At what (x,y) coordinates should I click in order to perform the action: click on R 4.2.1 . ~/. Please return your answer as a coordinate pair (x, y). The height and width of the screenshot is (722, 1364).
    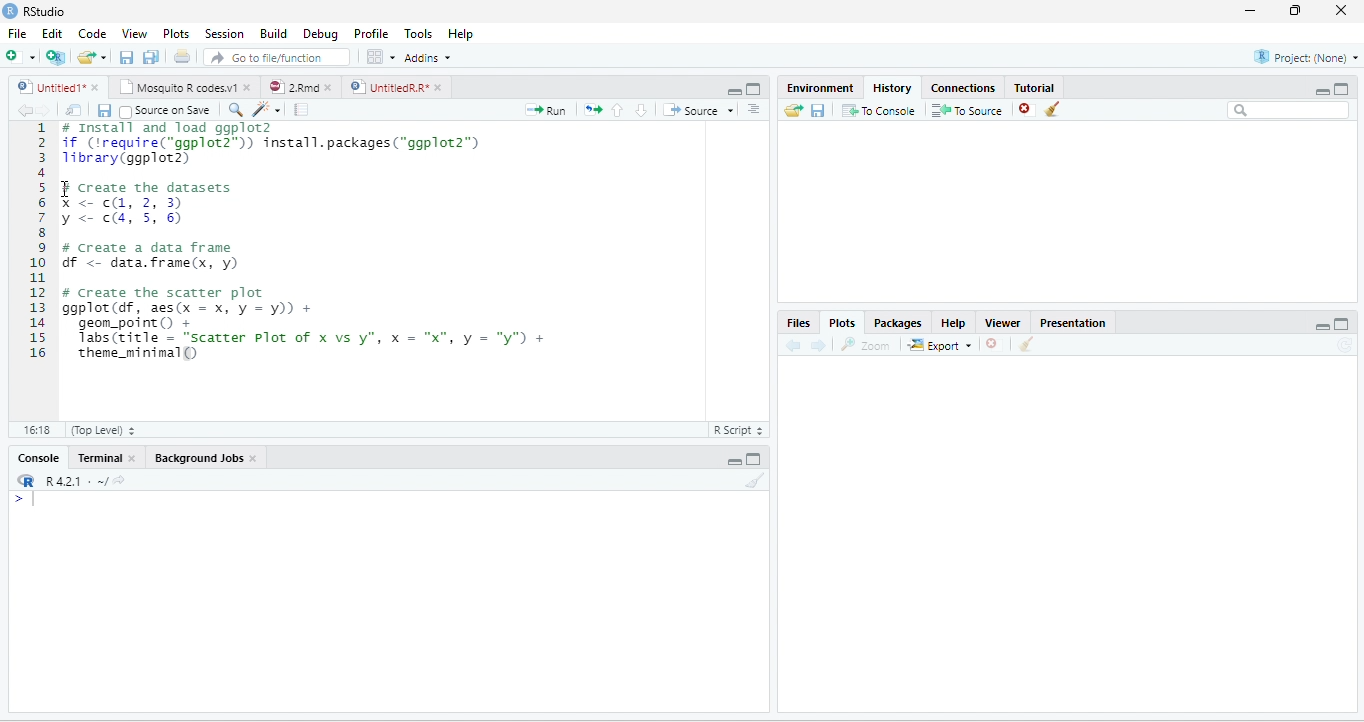
    Looking at the image, I should click on (75, 481).